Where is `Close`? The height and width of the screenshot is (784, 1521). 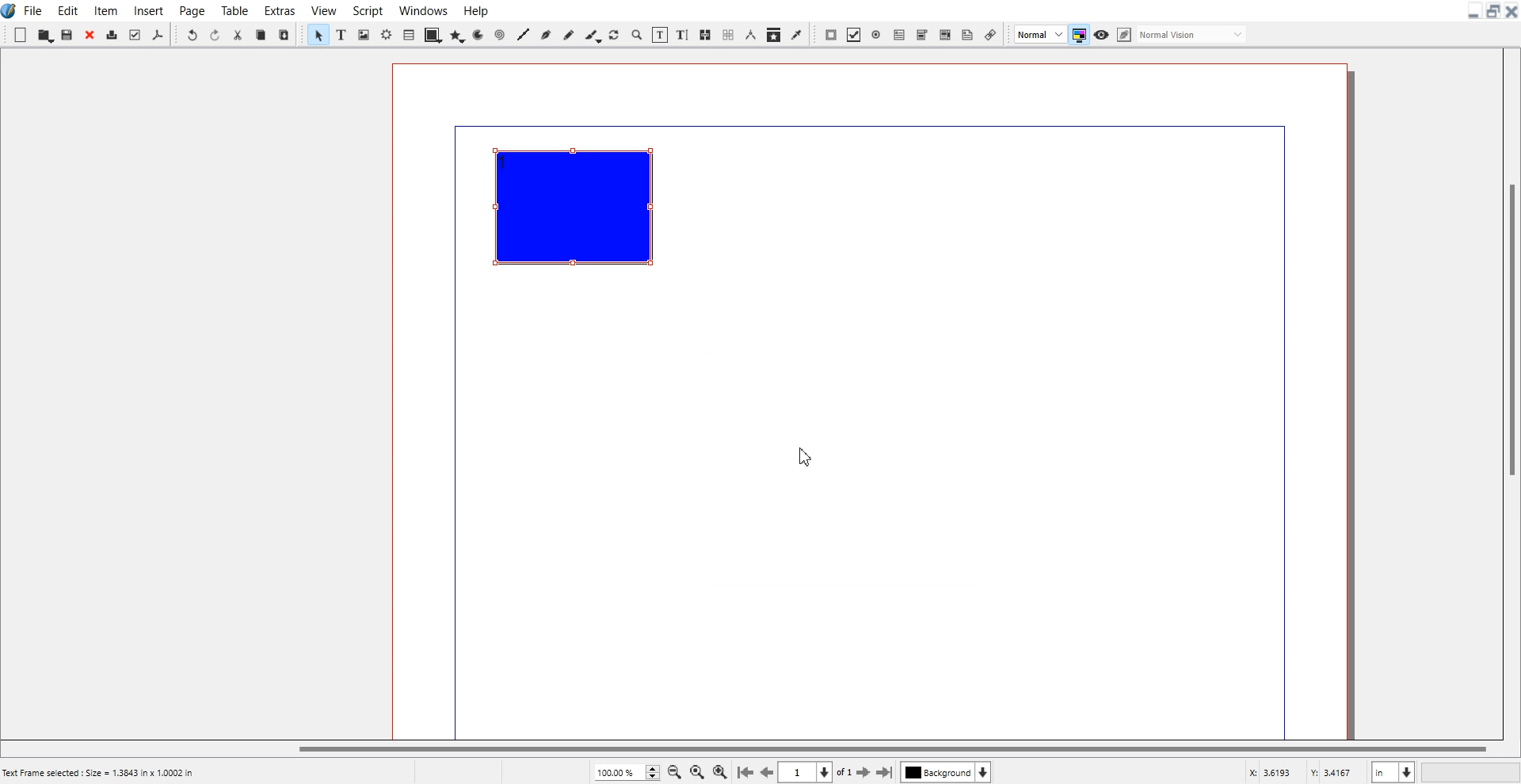 Close is located at coordinates (1511, 11).